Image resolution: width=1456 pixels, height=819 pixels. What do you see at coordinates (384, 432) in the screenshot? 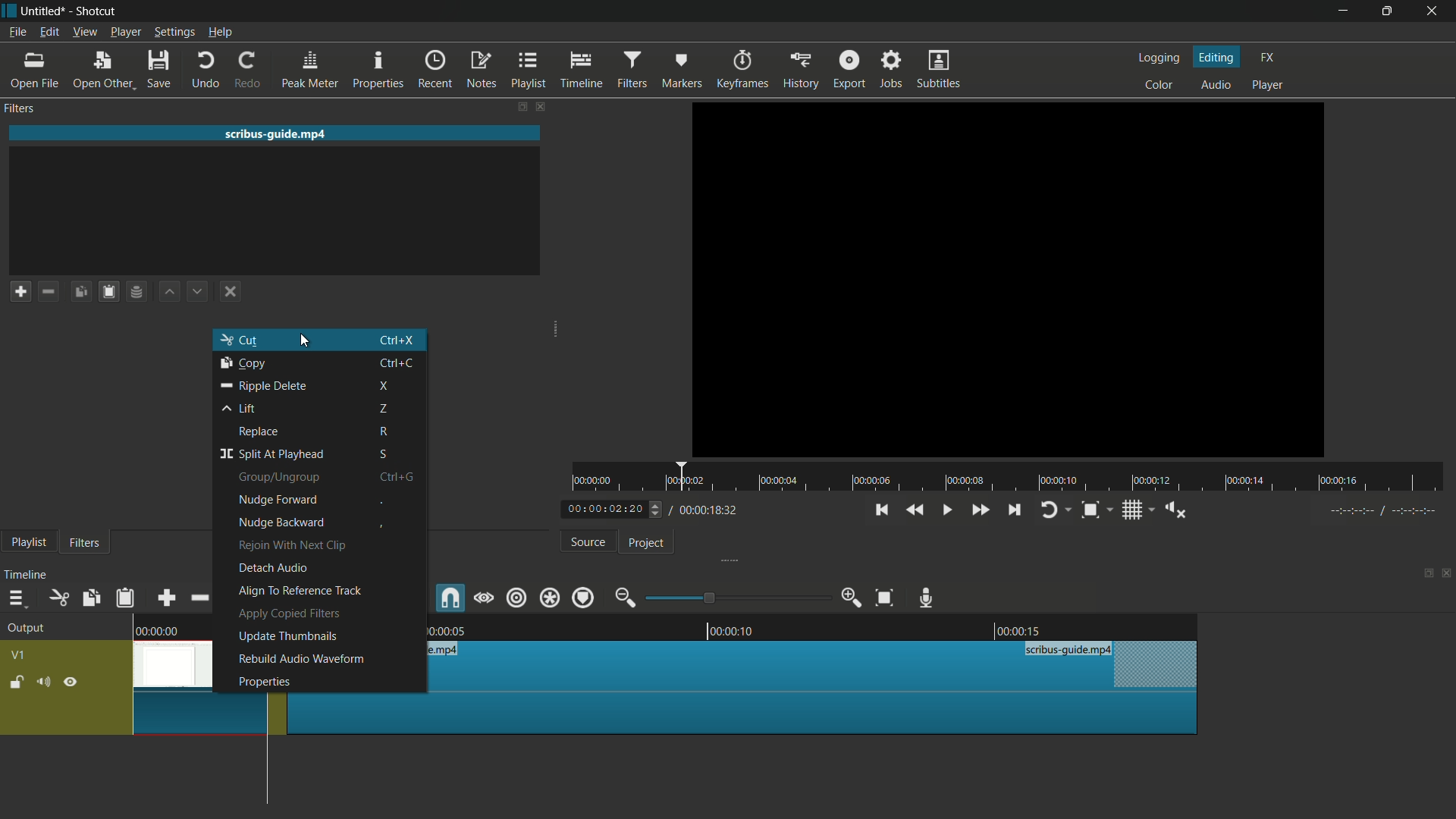
I see `keyboard shortcut` at bounding box center [384, 432].